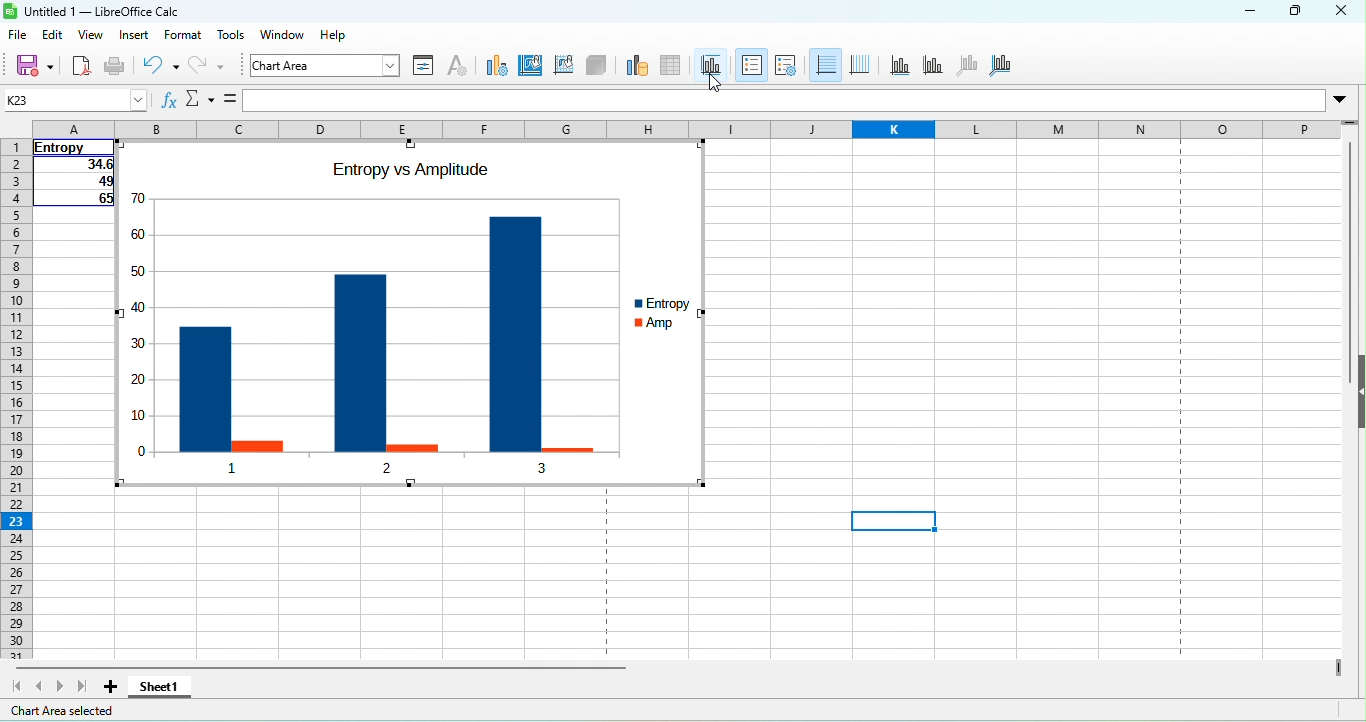 The height and width of the screenshot is (722, 1366). Describe the element at coordinates (40, 686) in the screenshot. I see `scroll to previous sheet` at that location.